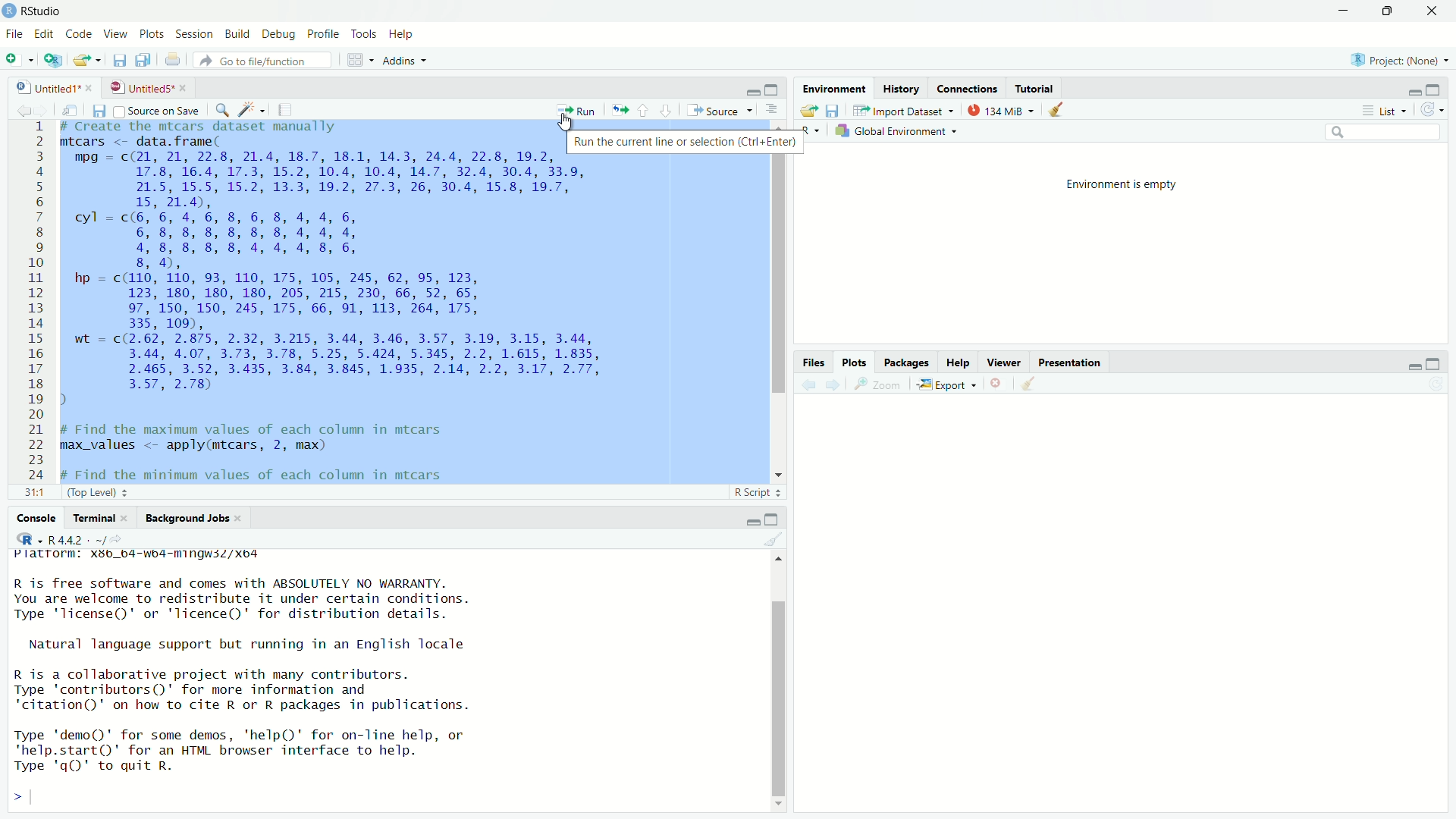 The width and height of the screenshot is (1456, 819). Describe the element at coordinates (1435, 89) in the screenshot. I see `maximise` at that location.